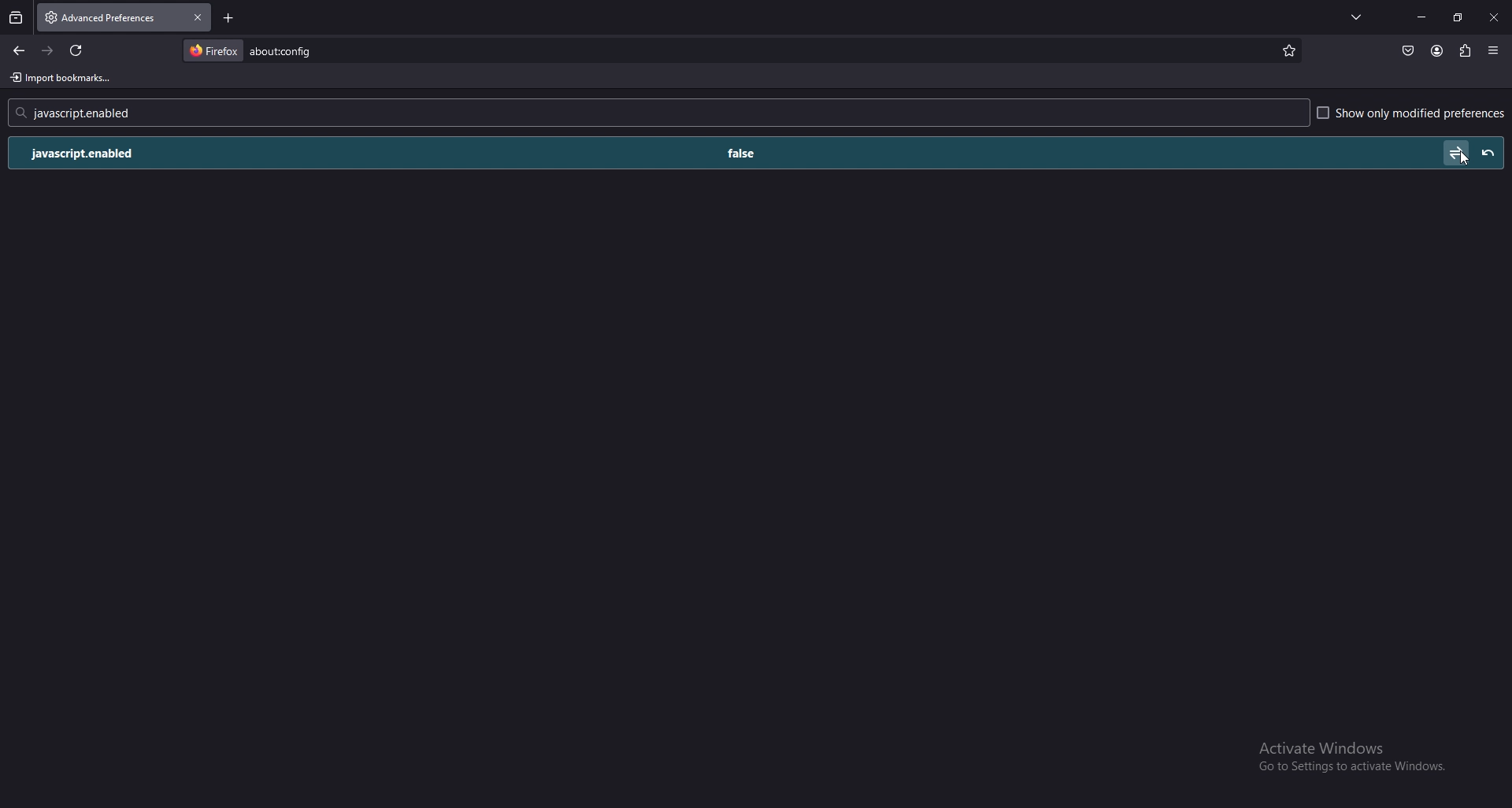 This screenshot has width=1512, height=808. I want to click on seach, so click(87, 113).